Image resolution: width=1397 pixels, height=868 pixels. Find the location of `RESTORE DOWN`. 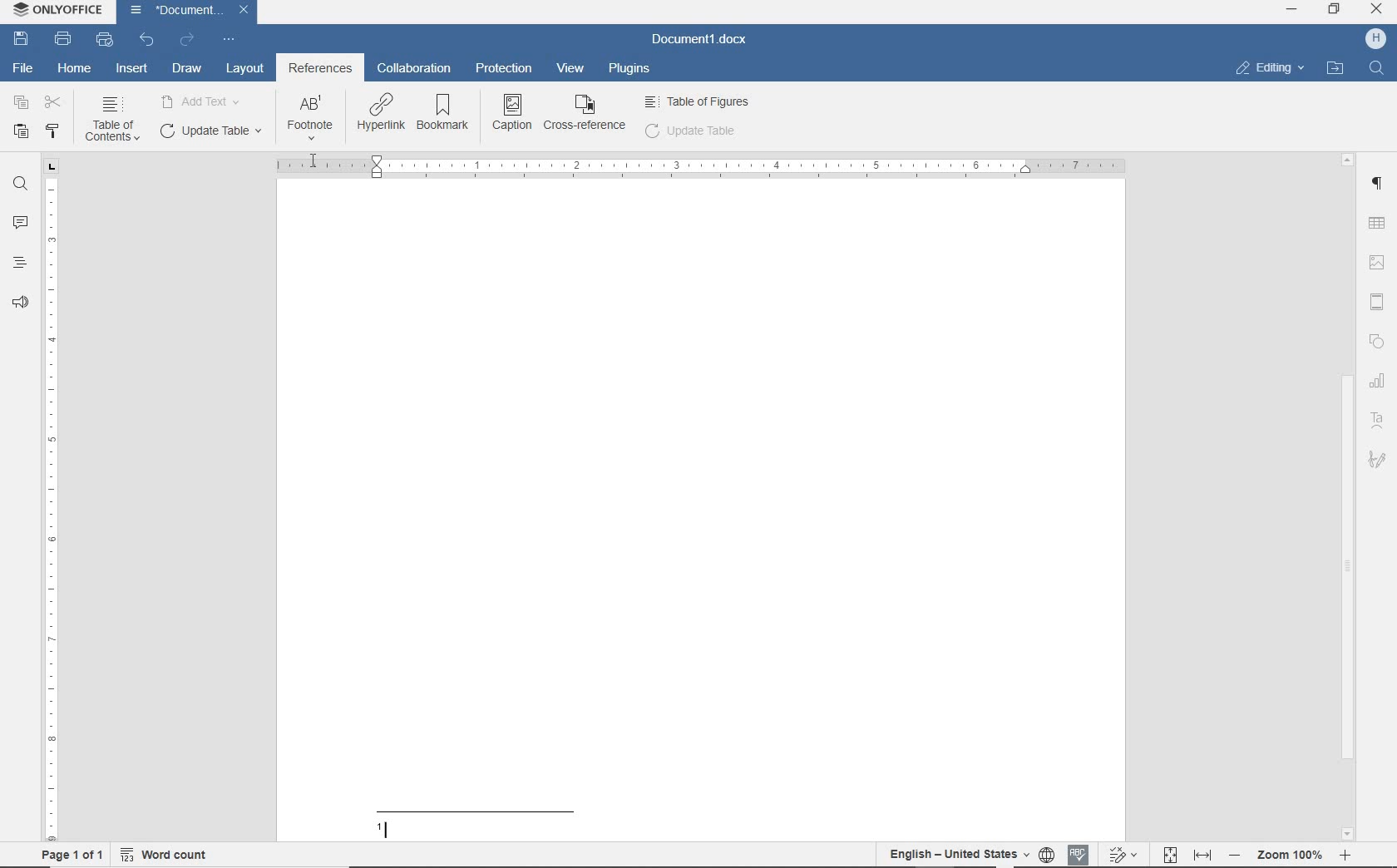

RESTORE DOWN is located at coordinates (1336, 11).